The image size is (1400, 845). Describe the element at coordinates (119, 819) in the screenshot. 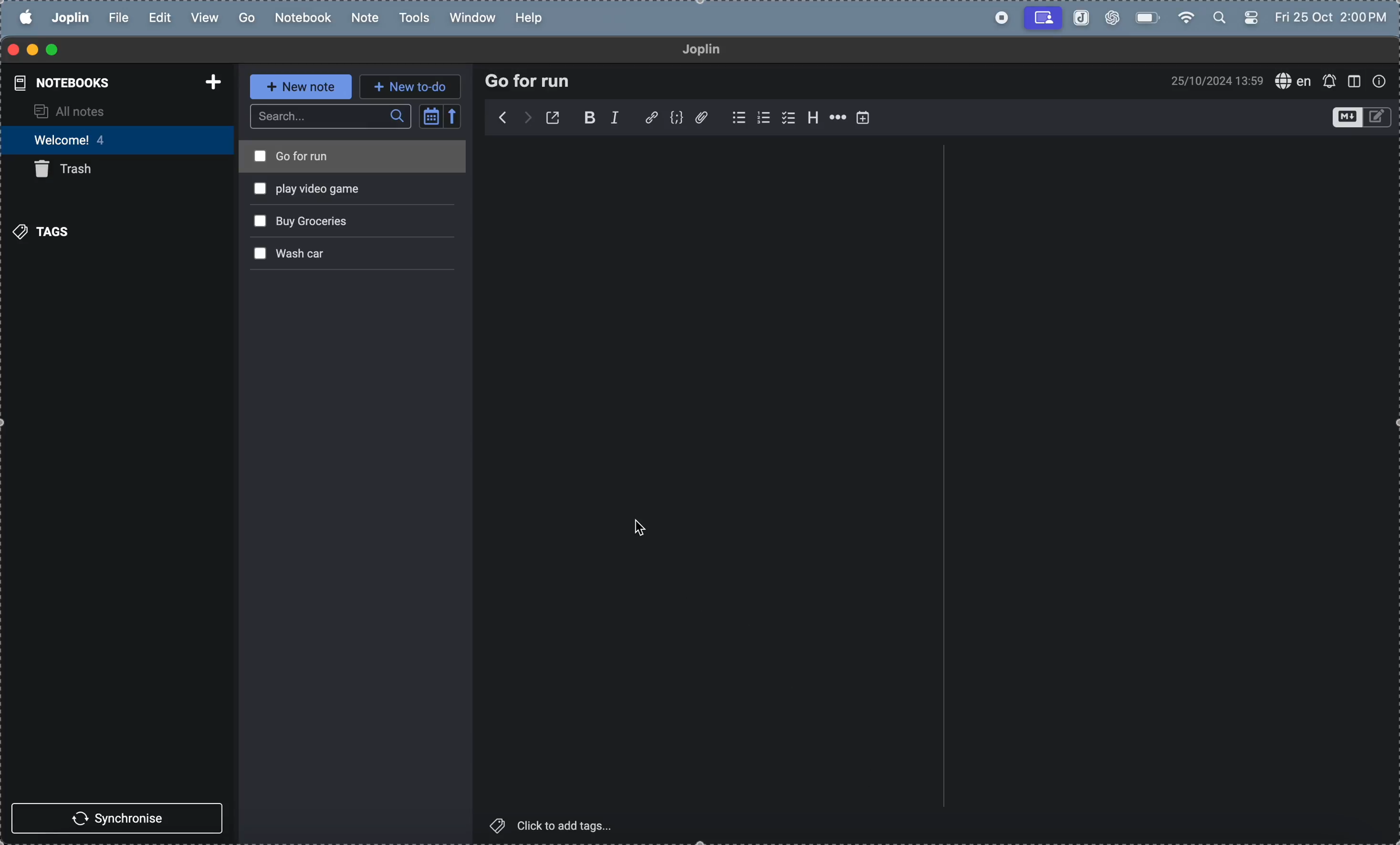

I see `synchronise` at that location.